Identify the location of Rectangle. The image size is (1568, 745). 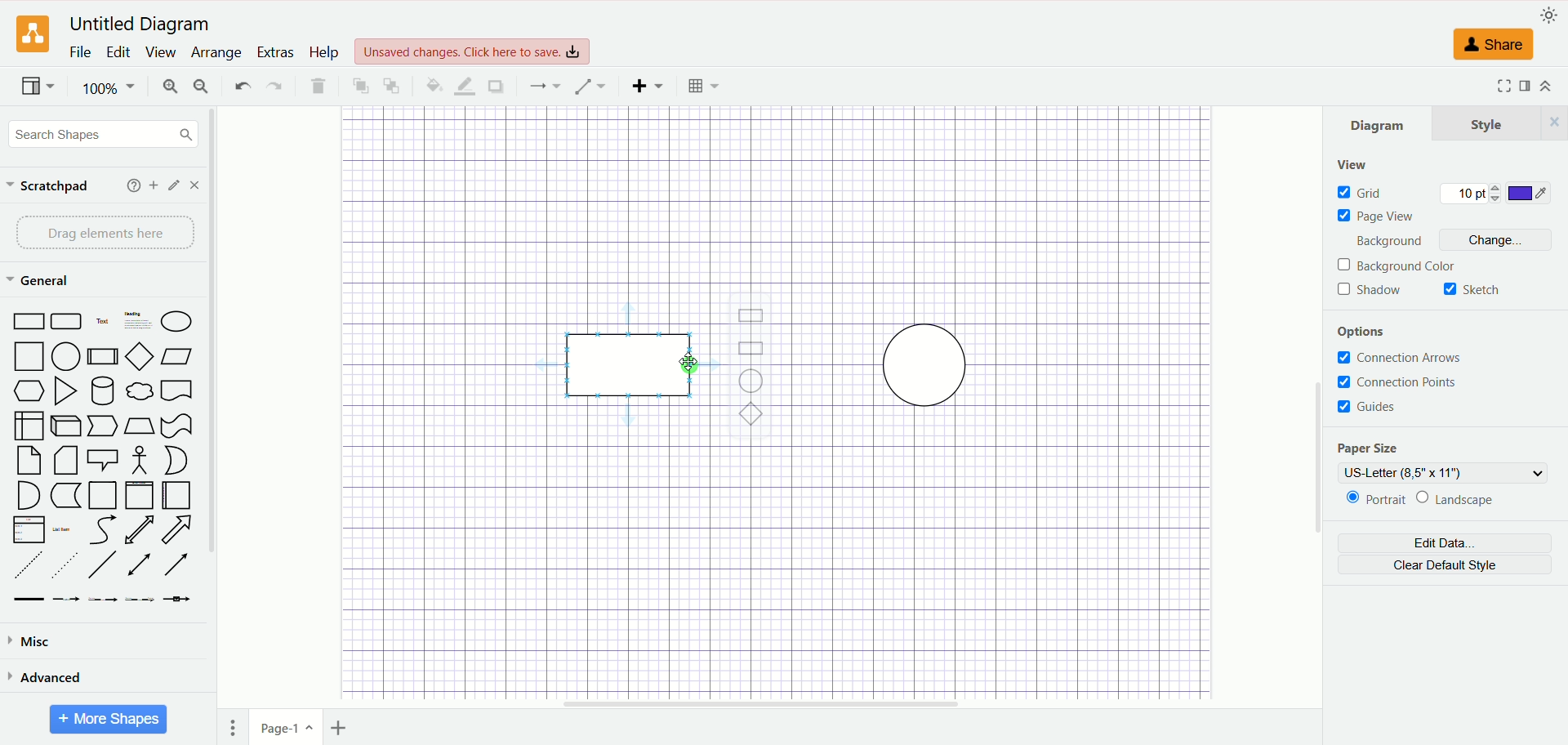
(753, 315).